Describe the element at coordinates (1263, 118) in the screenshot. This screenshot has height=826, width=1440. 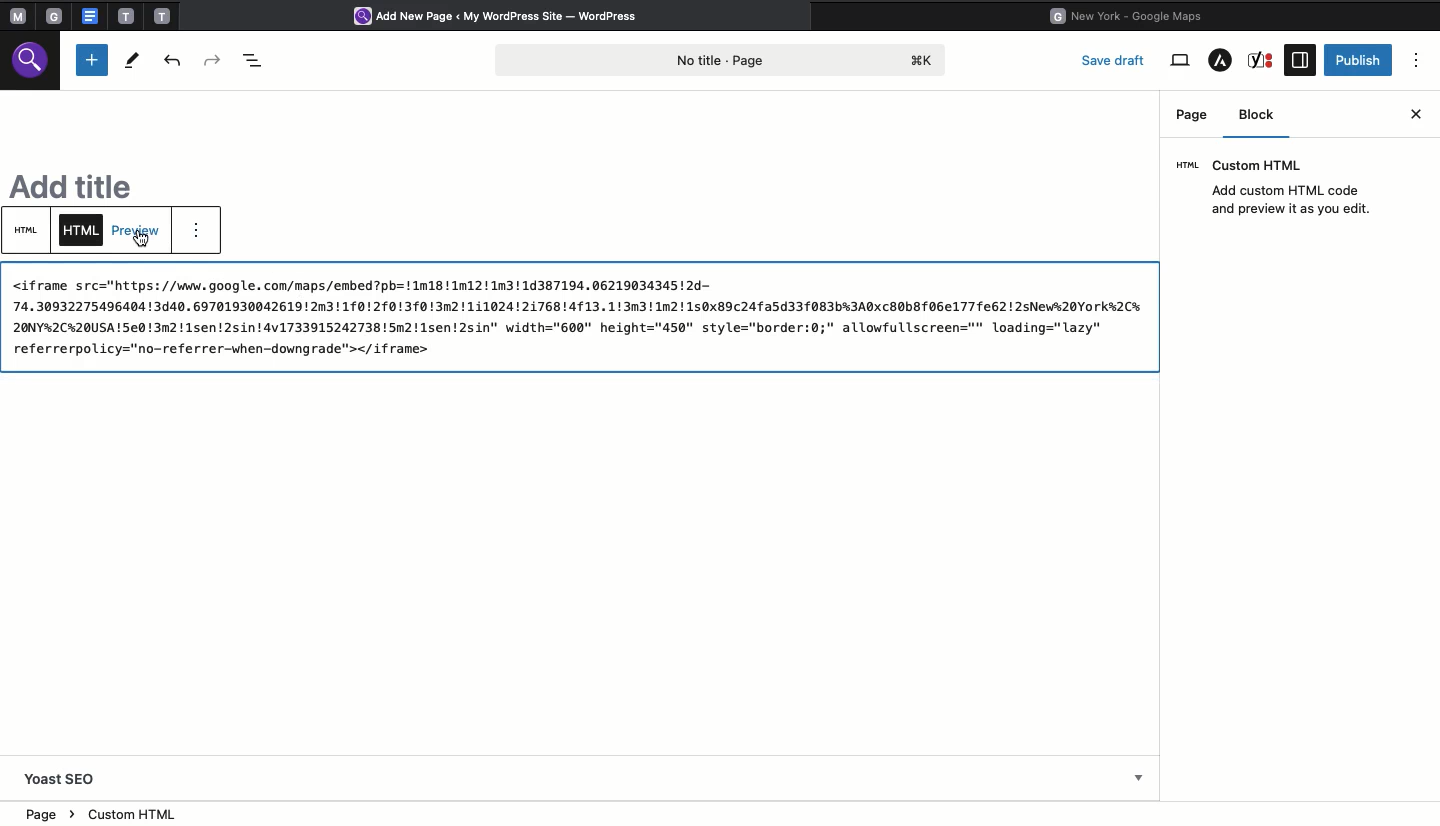
I see `Block` at that location.